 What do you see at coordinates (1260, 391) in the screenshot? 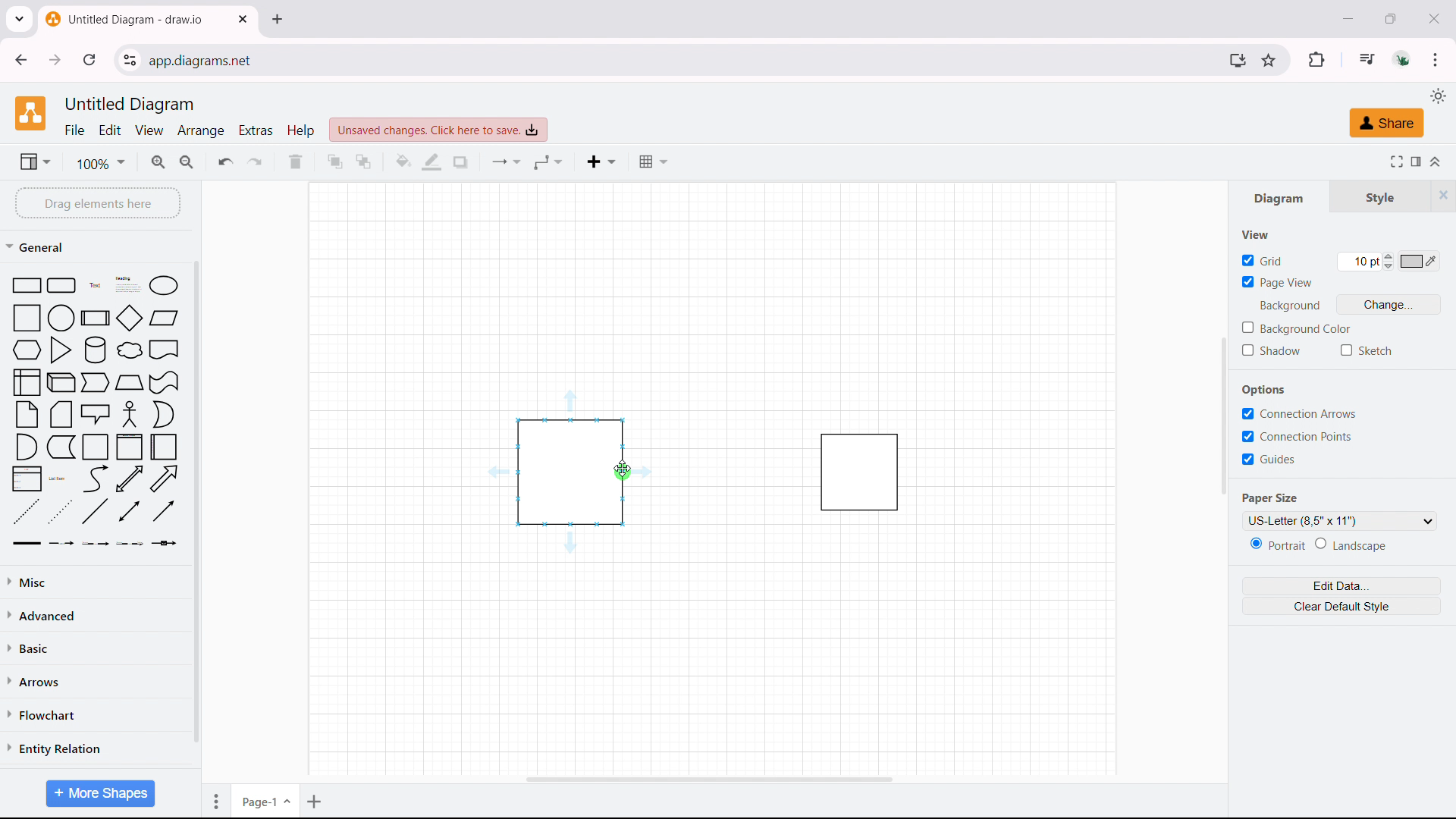
I see `Options` at bounding box center [1260, 391].